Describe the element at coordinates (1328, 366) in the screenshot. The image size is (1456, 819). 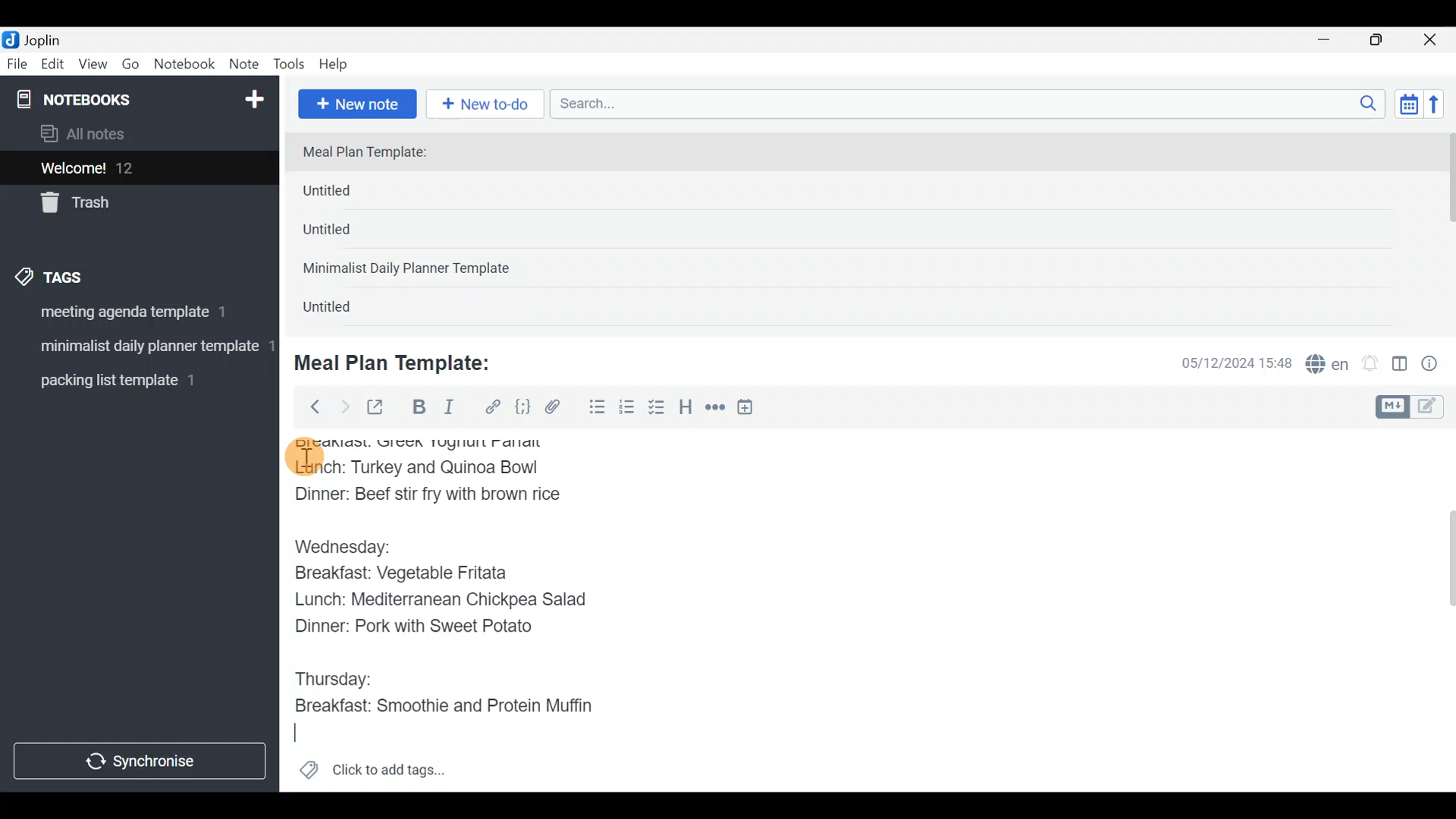
I see `Spelling` at that location.